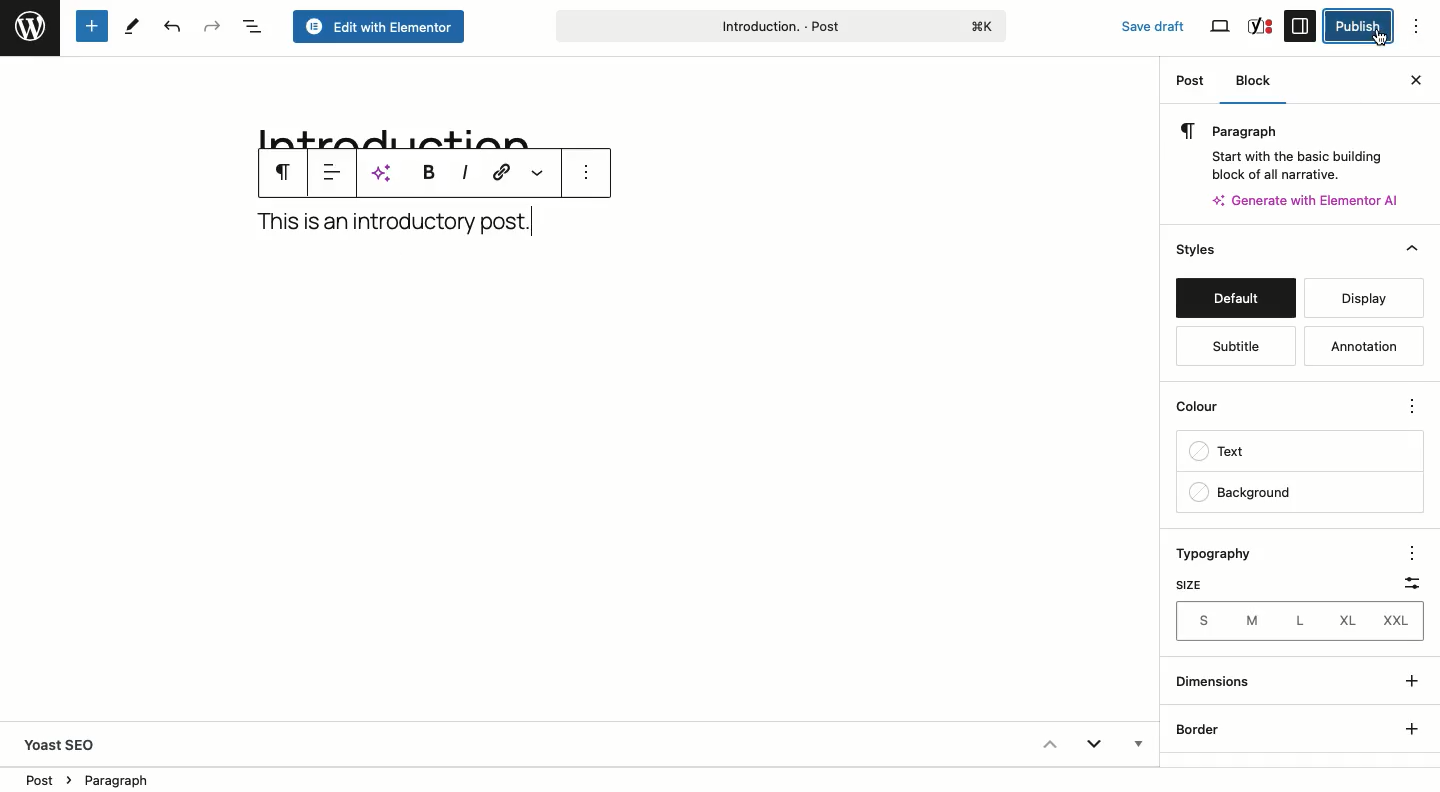 This screenshot has height=792, width=1440. Describe the element at coordinates (1408, 701) in the screenshot. I see `Show` at that location.